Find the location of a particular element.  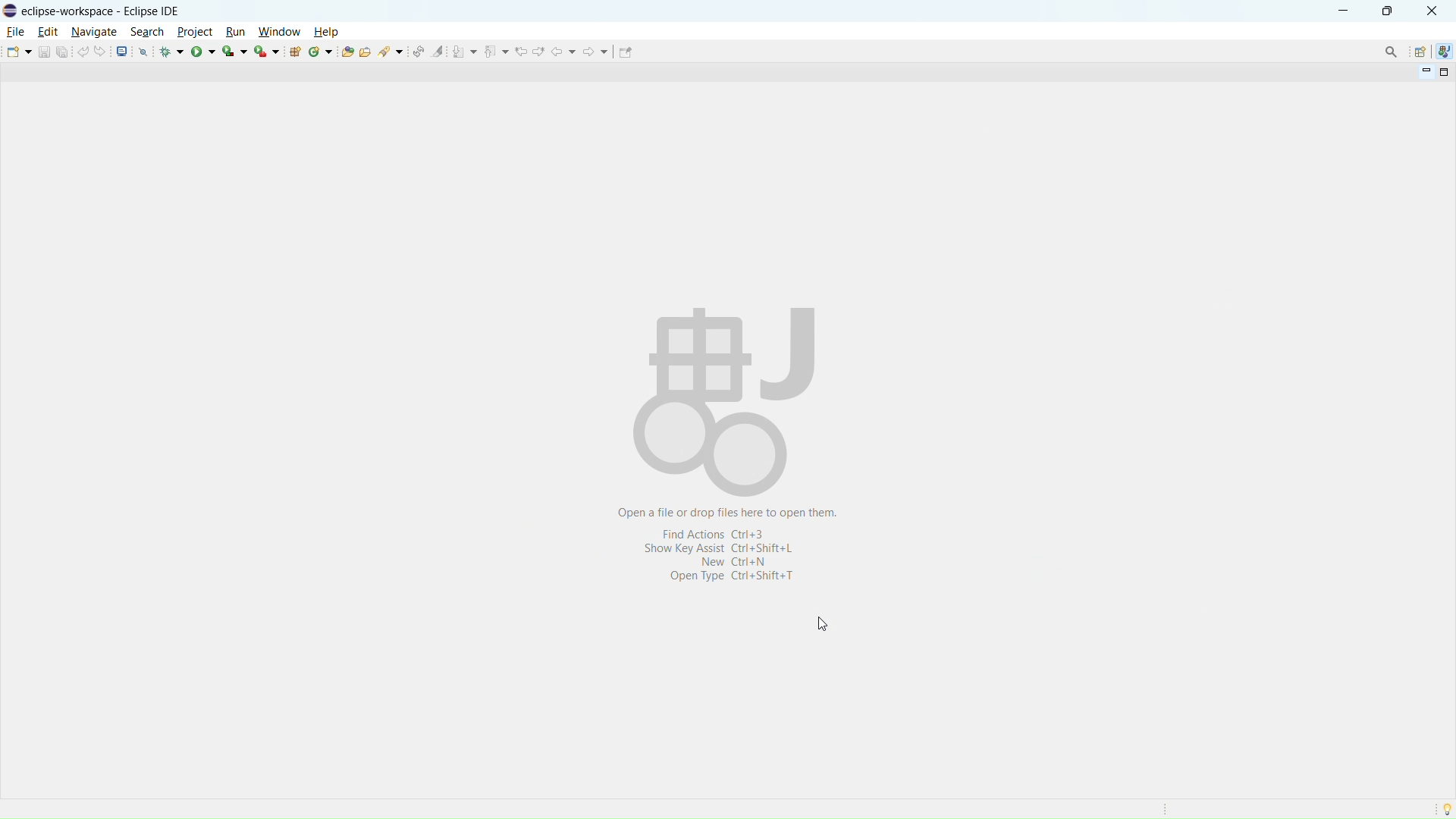

view previous location is located at coordinates (521, 52).